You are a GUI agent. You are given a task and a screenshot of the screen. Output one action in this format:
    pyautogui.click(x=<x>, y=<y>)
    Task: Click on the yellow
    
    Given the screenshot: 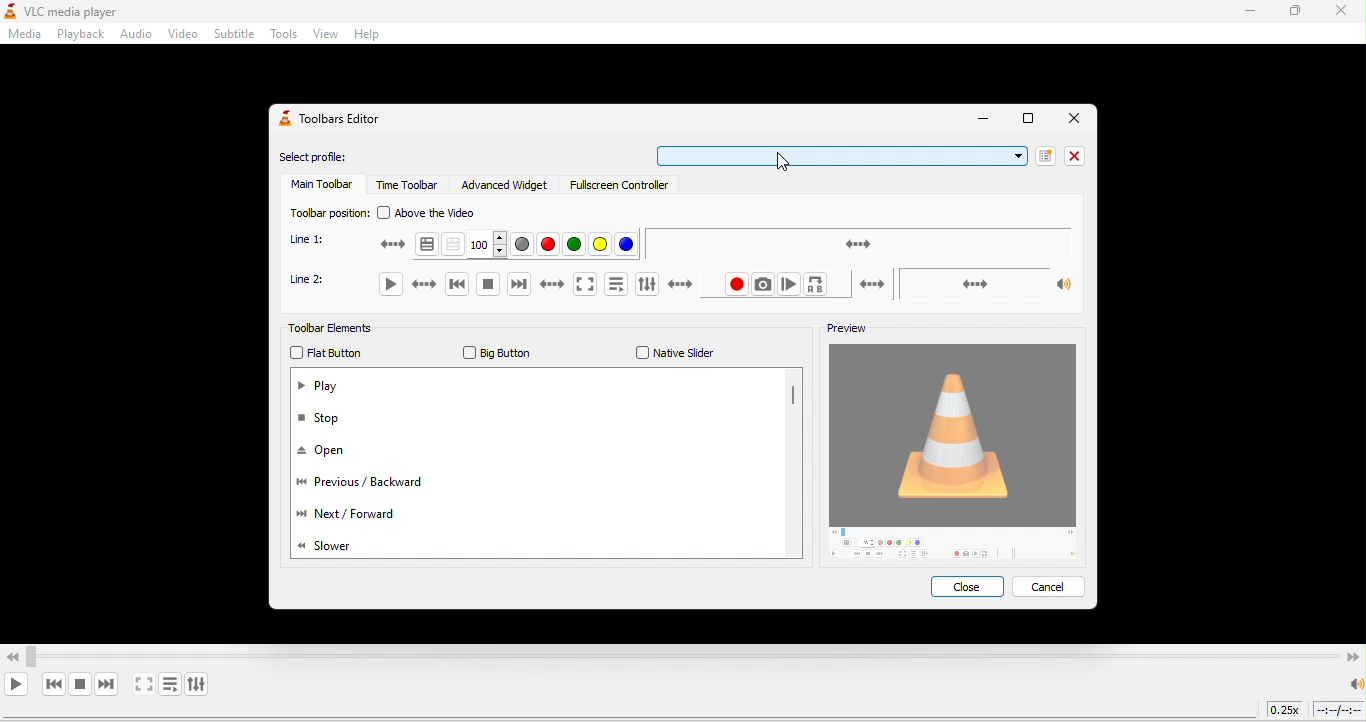 What is the action you would take?
    pyautogui.click(x=600, y=245)
    